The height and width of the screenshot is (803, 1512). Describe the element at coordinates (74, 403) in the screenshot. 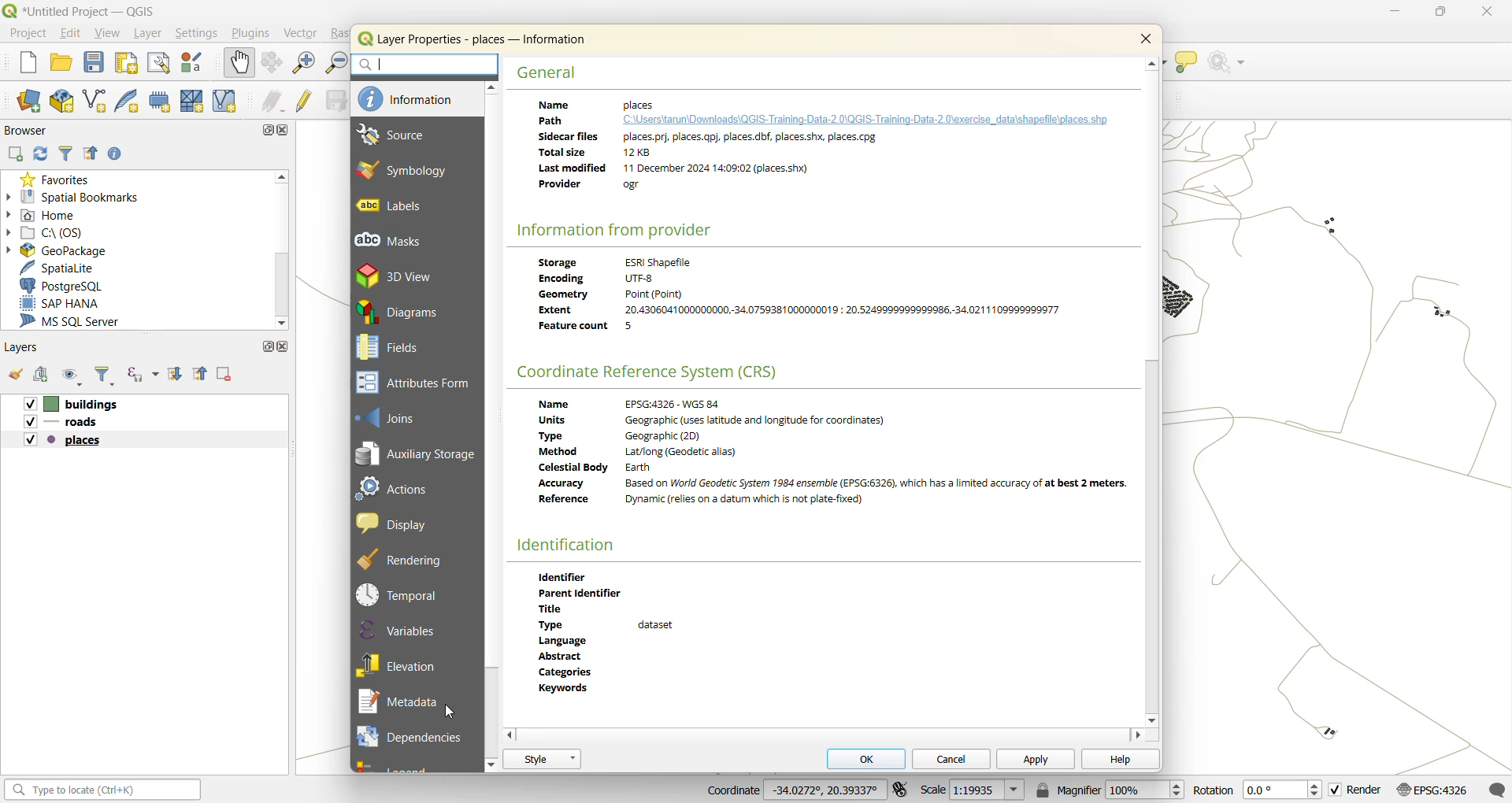

I see `layers` at that location.